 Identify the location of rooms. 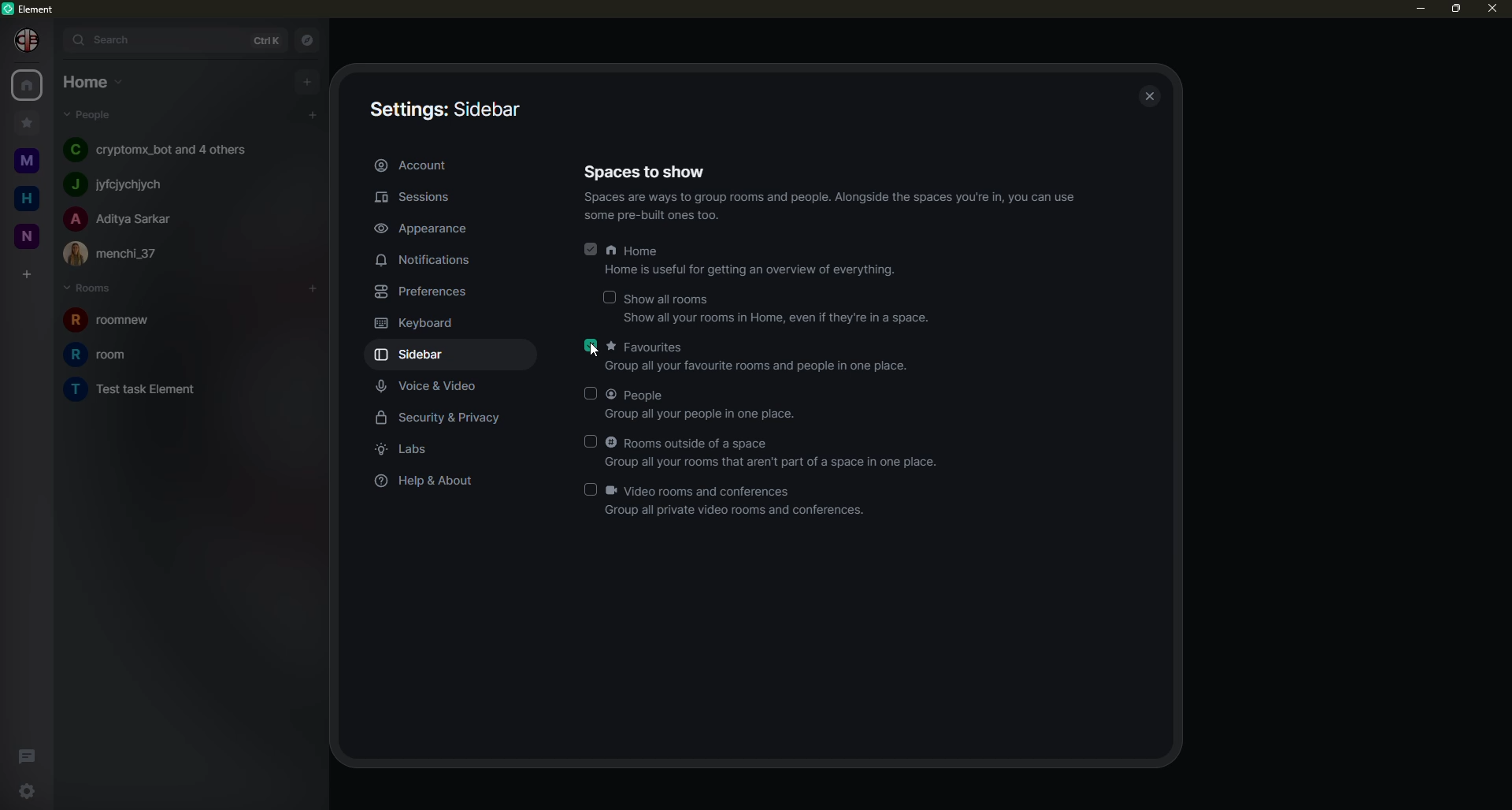
(91, 288).